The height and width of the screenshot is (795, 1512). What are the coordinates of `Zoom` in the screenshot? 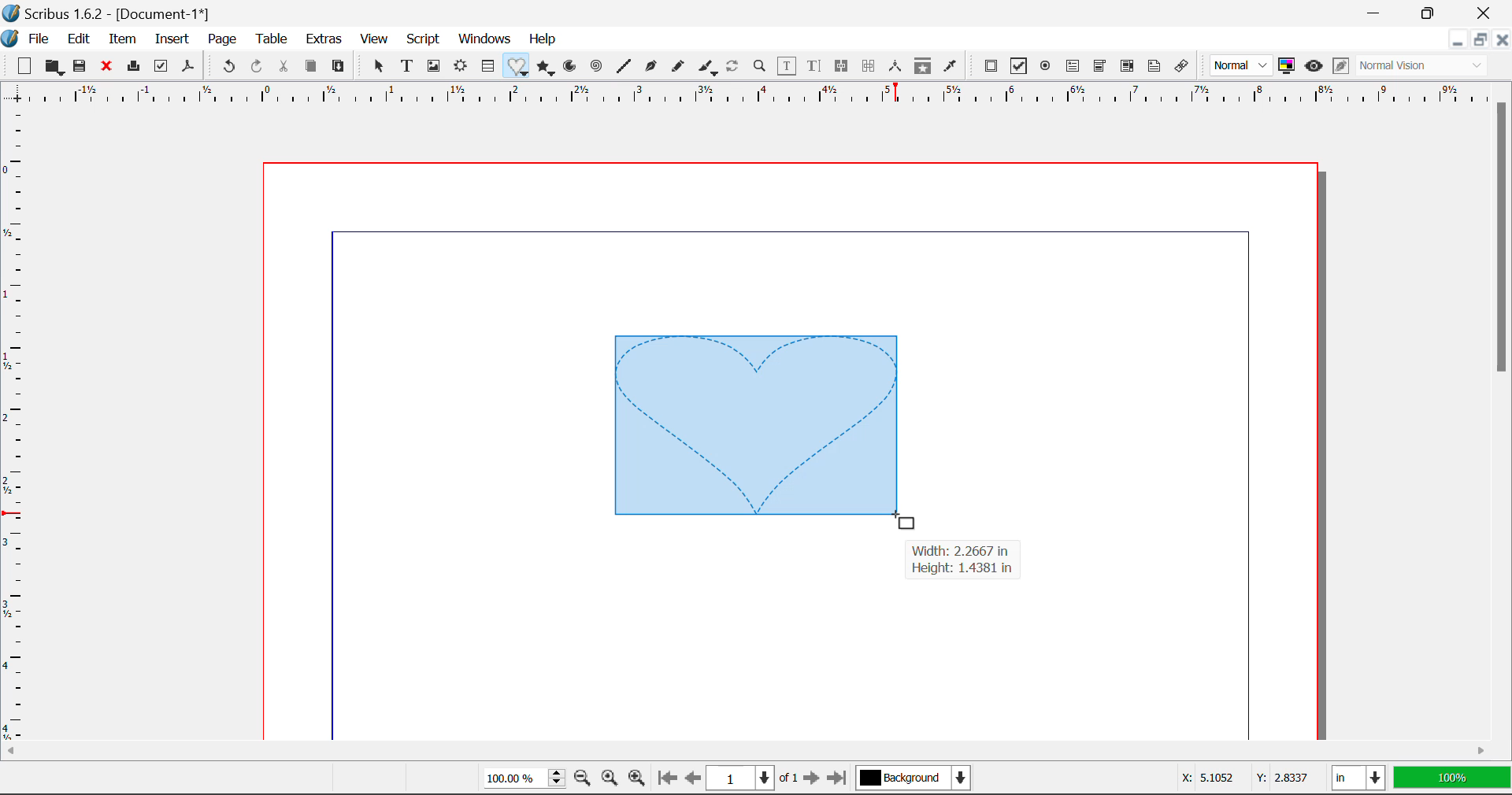 It's located at (762, 68).